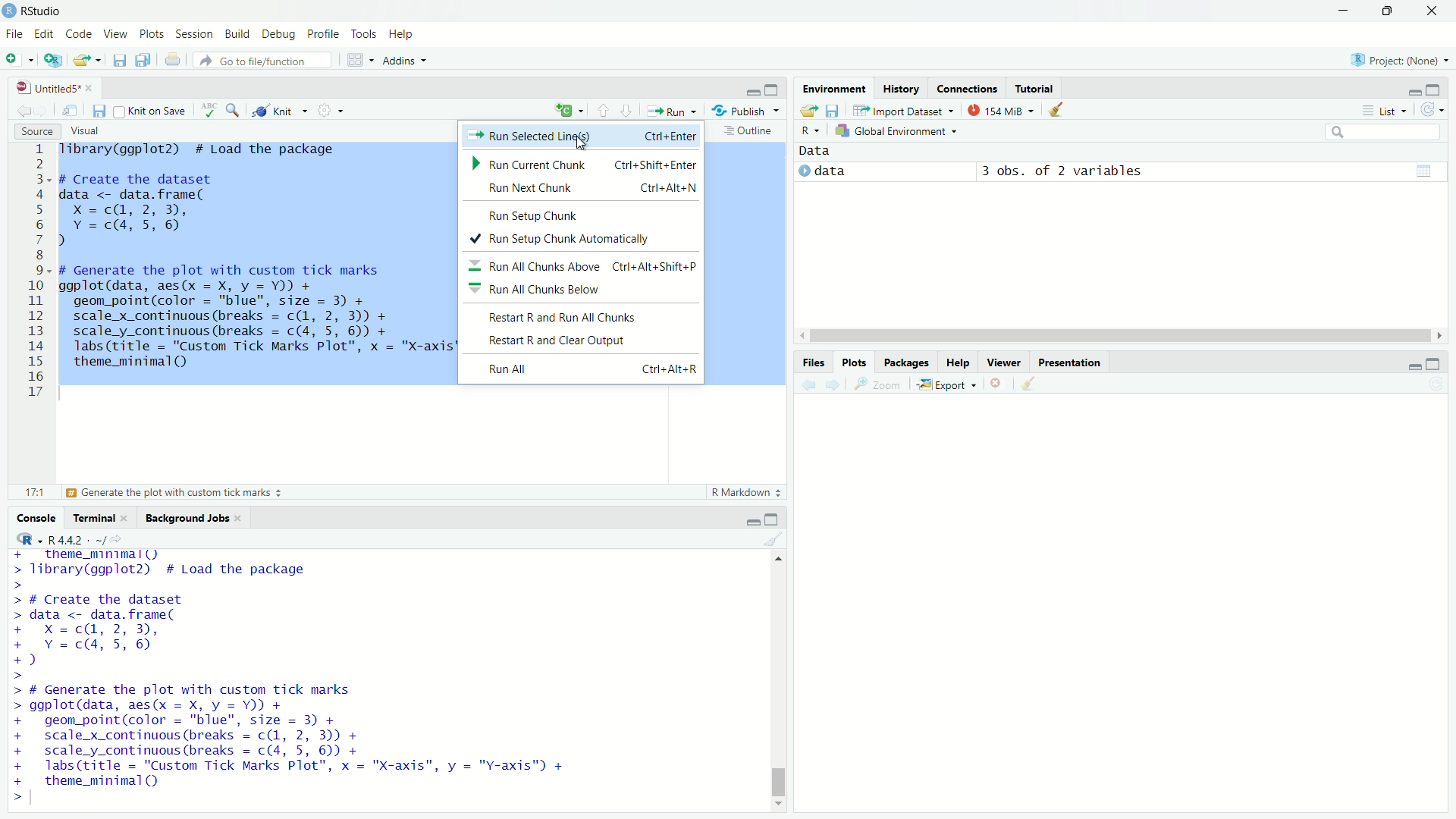 This screenshot has height=819, width=1456. I want to click on save current document, so click(120, 60).